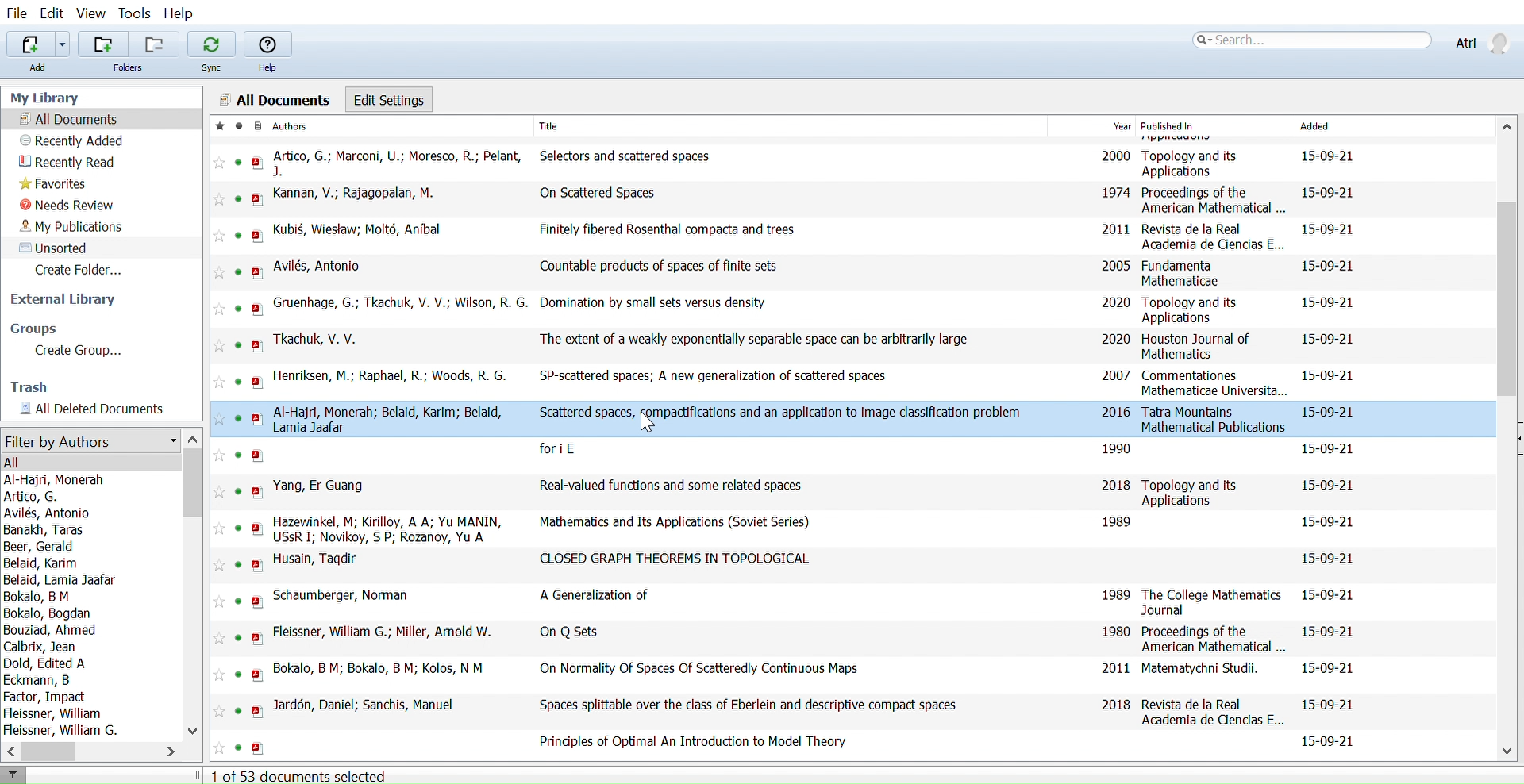 Image resolution: width=1524 pixels, height=784 pixels. What do you see at coordinates (1116, 594) in the screenshot?
I see `1989` at bounding box center [1116, 594].